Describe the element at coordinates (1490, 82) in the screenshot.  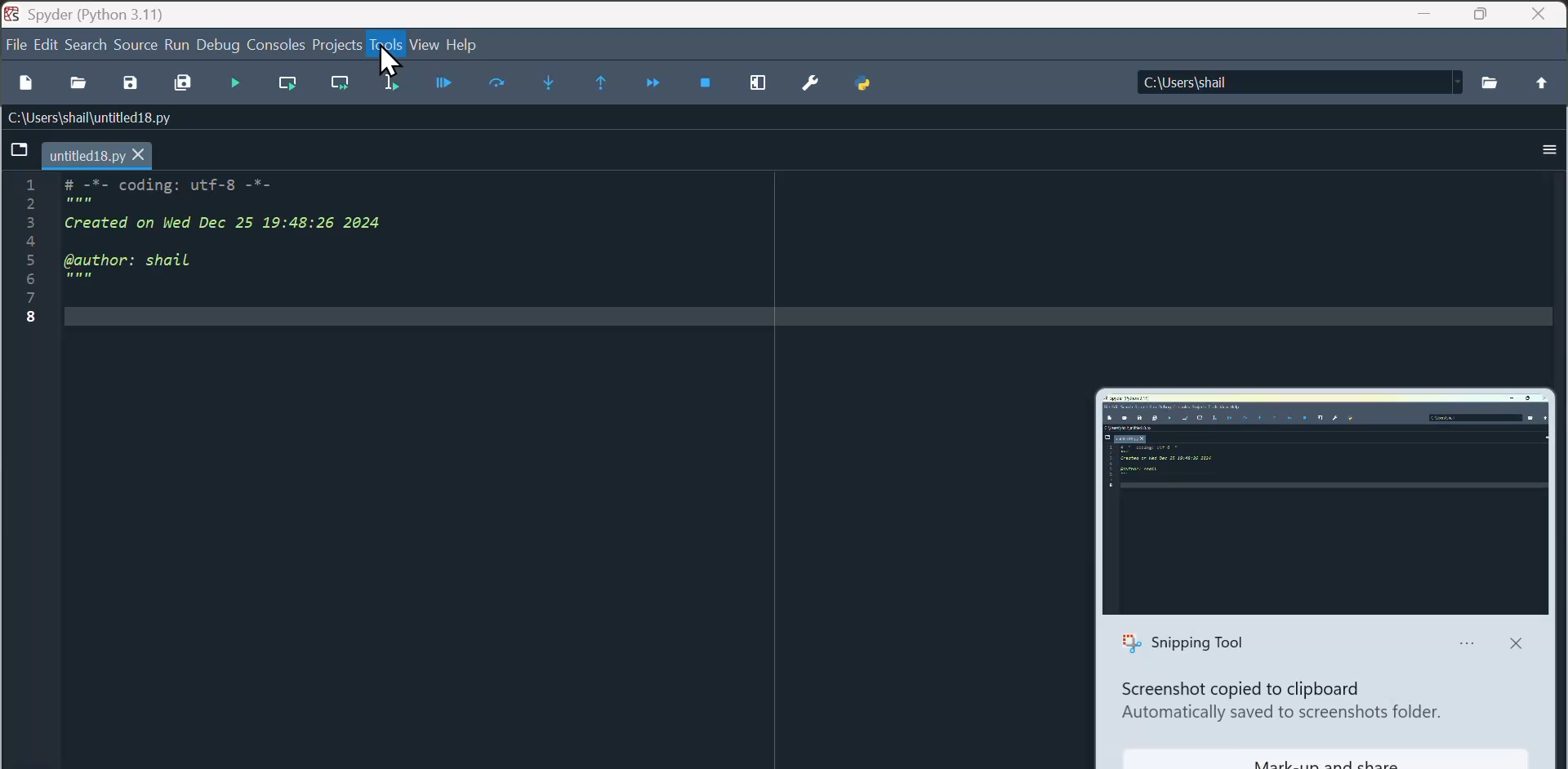
I see `browse folder` at that location.